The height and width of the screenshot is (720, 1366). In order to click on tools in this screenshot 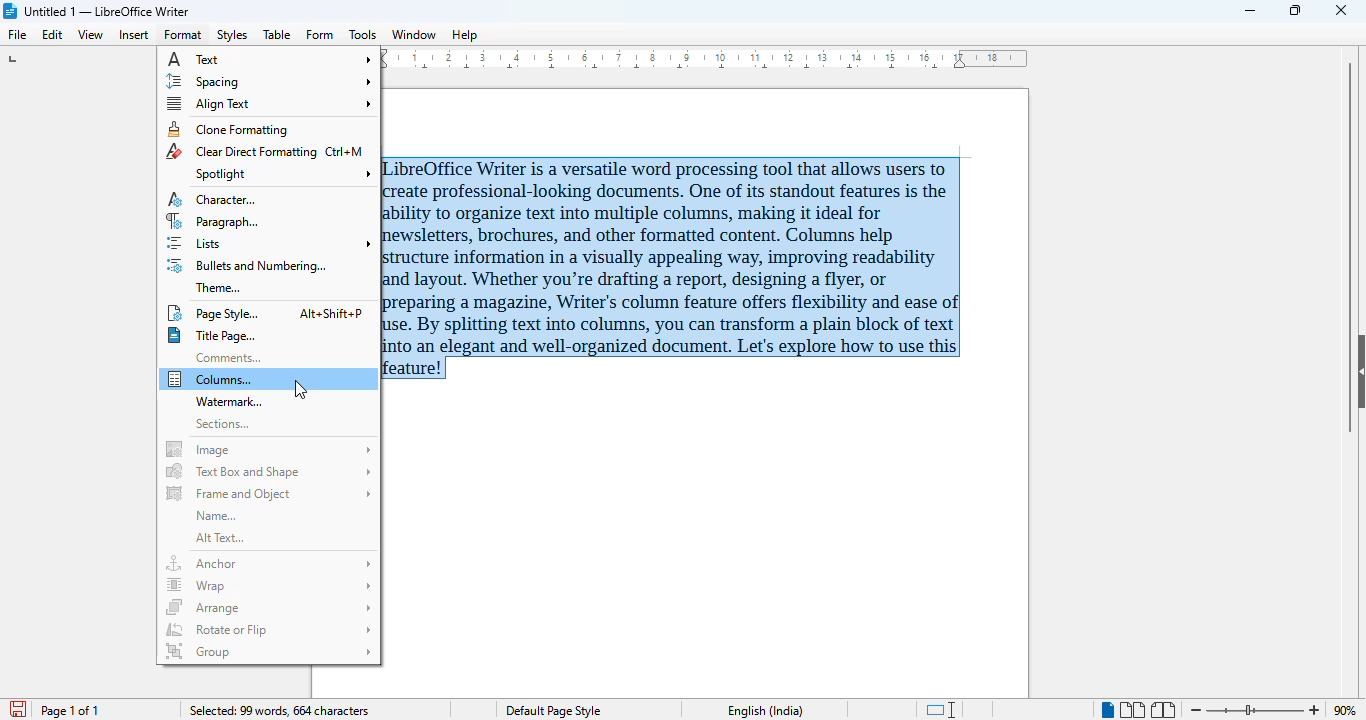, I will do `click(362, 34)`.